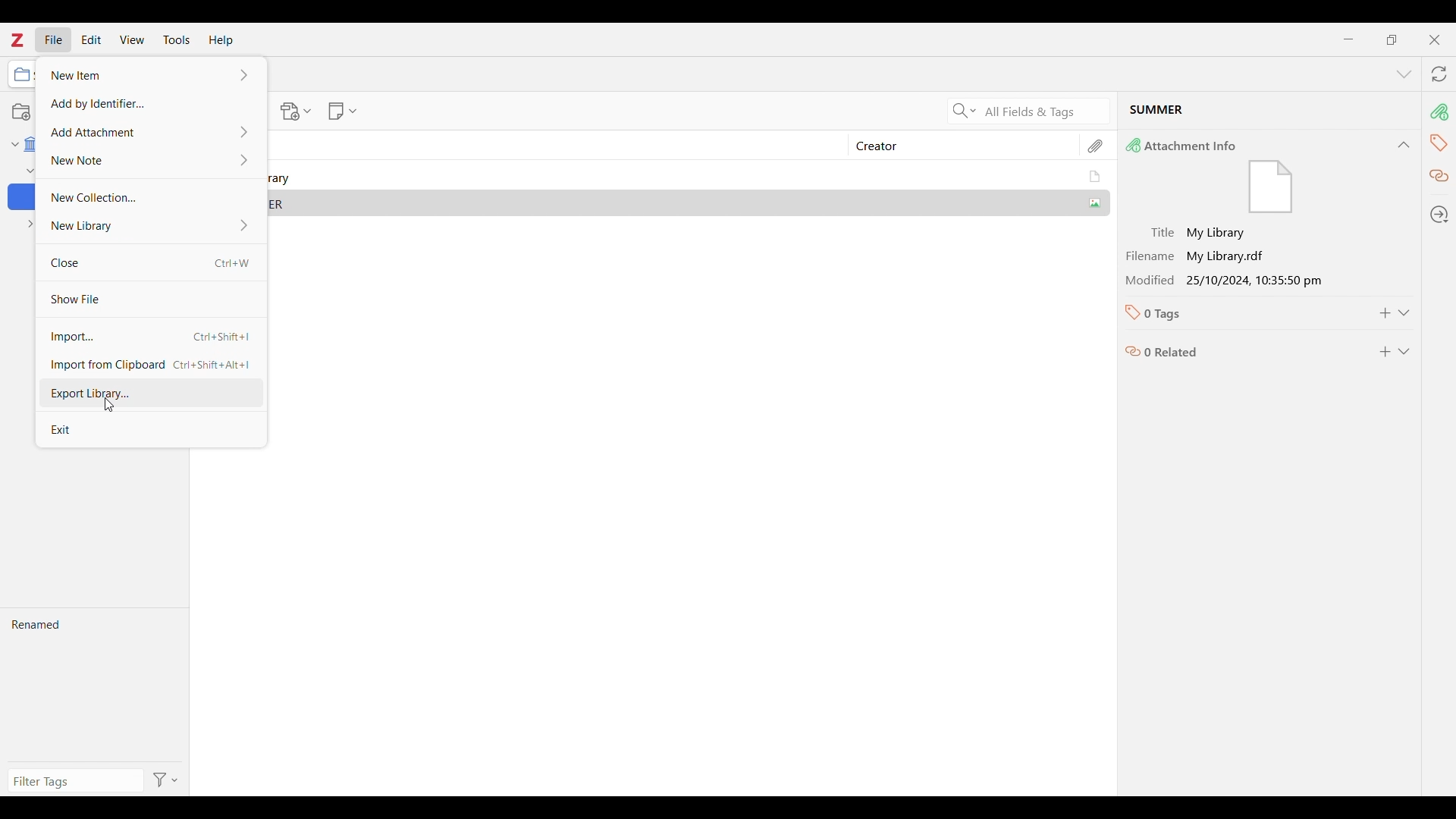 This screenshot has height=819, width=1456. I want to click on Expand, so click(1404, 352).